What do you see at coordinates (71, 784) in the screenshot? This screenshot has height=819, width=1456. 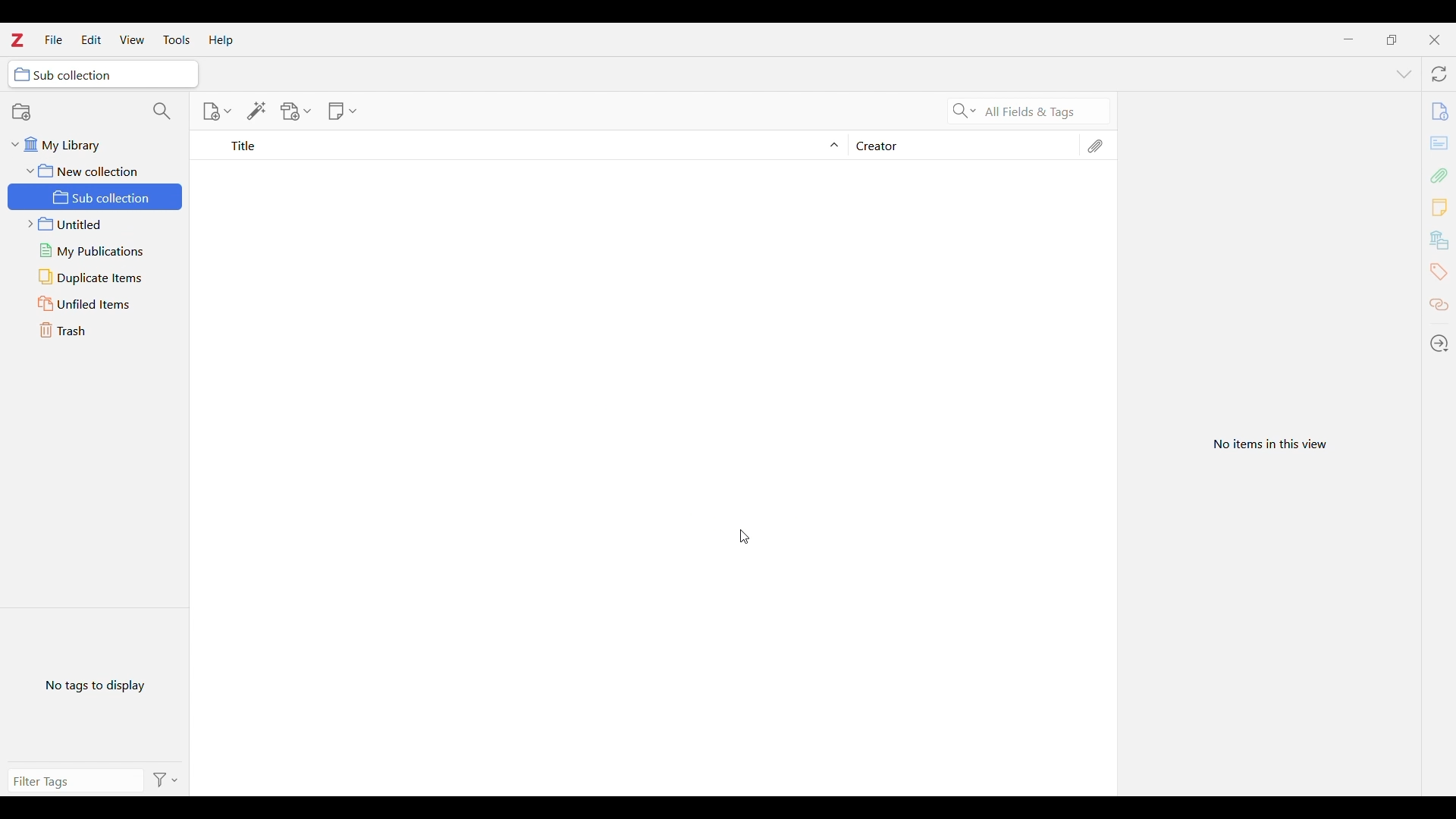 I see `Type filter tag` at bounding box center [71, 784].